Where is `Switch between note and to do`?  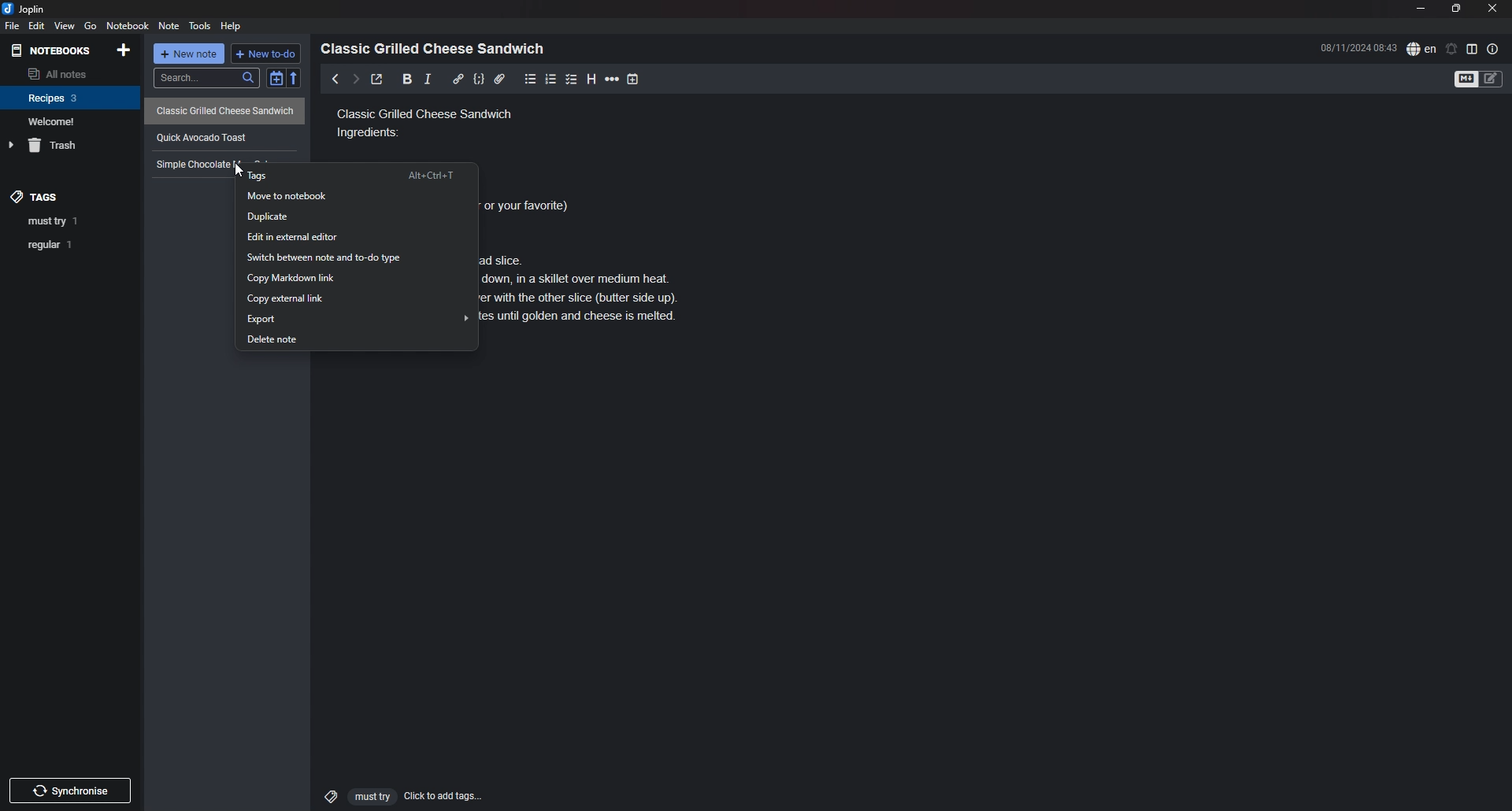 Switch between note and to do is located at coordinates (358, 257).